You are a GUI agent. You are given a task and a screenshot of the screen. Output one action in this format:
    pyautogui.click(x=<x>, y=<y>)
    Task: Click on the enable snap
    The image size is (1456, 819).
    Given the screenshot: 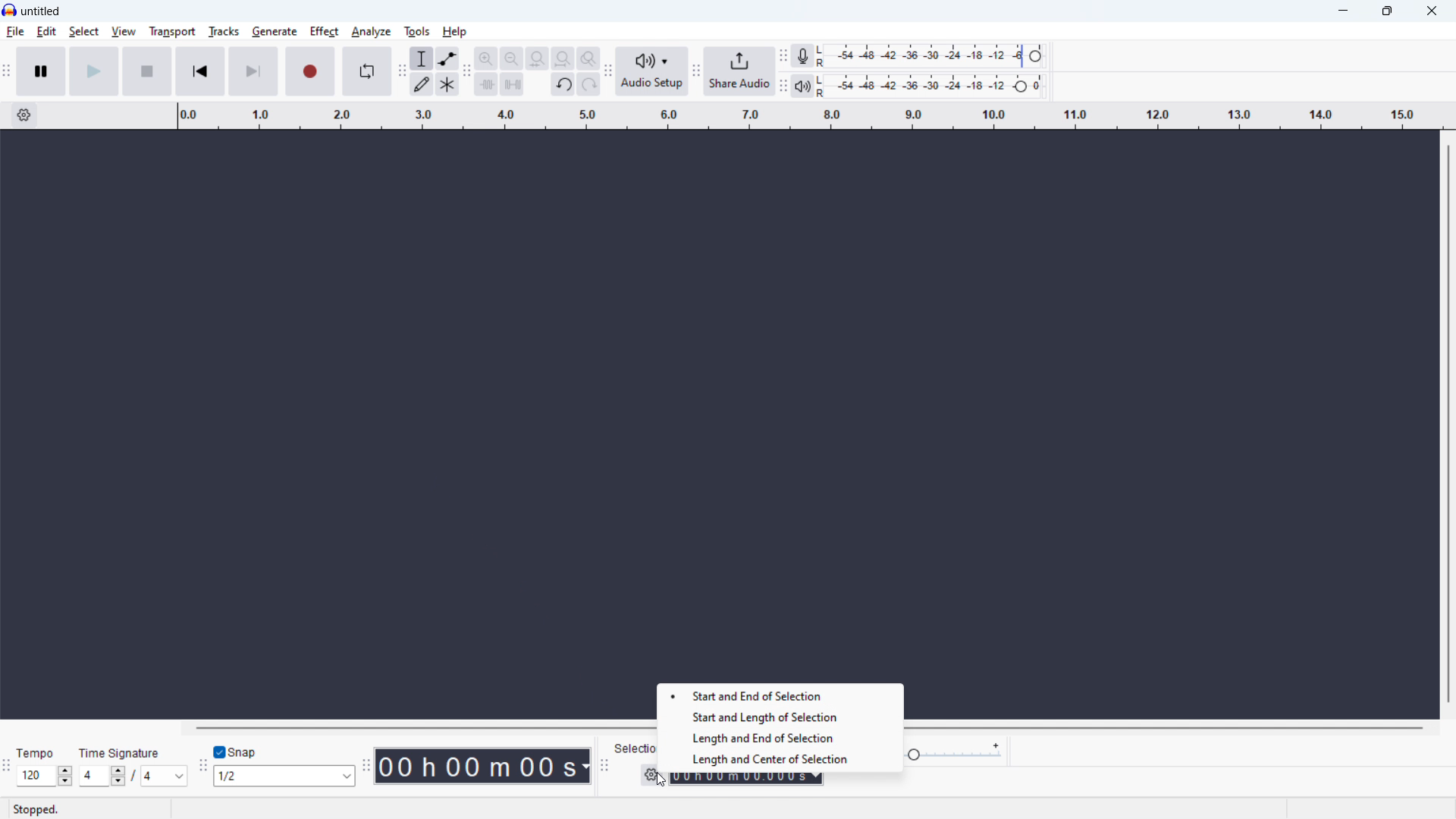 What is the action you would take?
    pyautogui.click(x=235, y=752)
    